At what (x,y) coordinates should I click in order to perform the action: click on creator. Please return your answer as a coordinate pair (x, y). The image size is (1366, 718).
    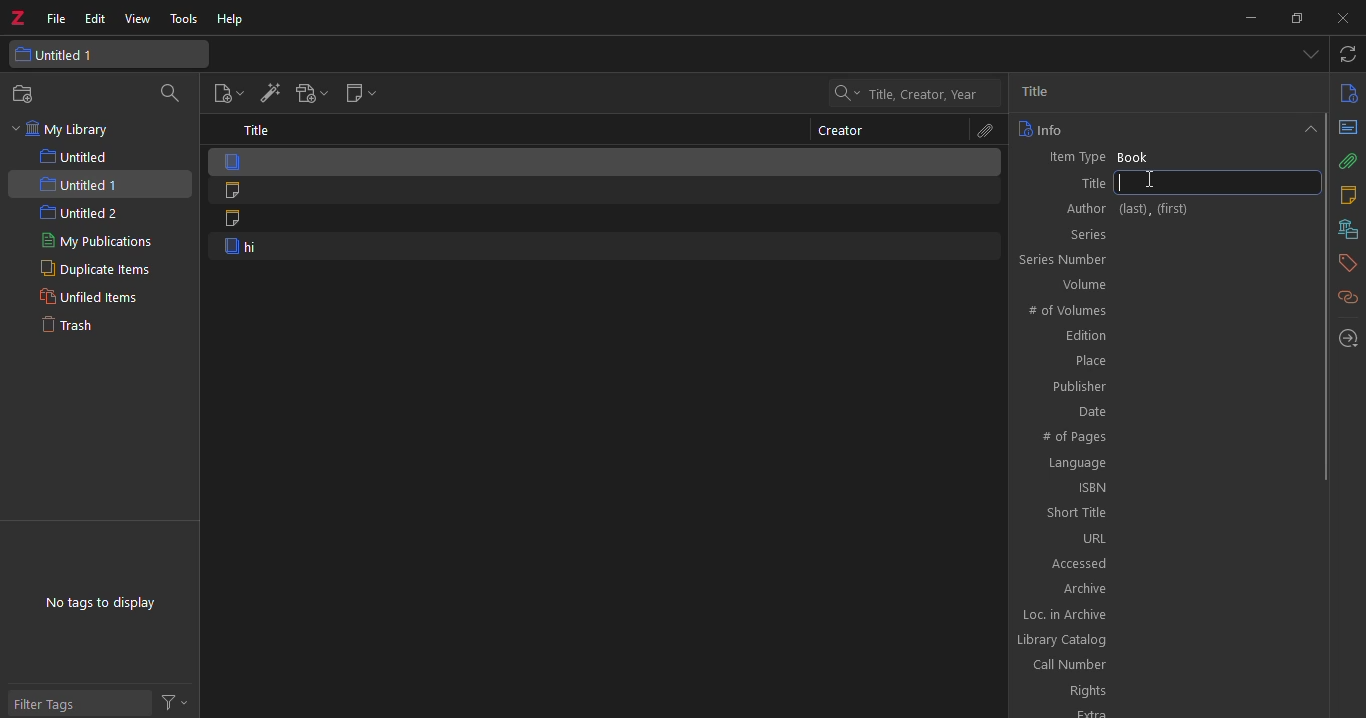
    Looking at the image, I should click on (841, 131).